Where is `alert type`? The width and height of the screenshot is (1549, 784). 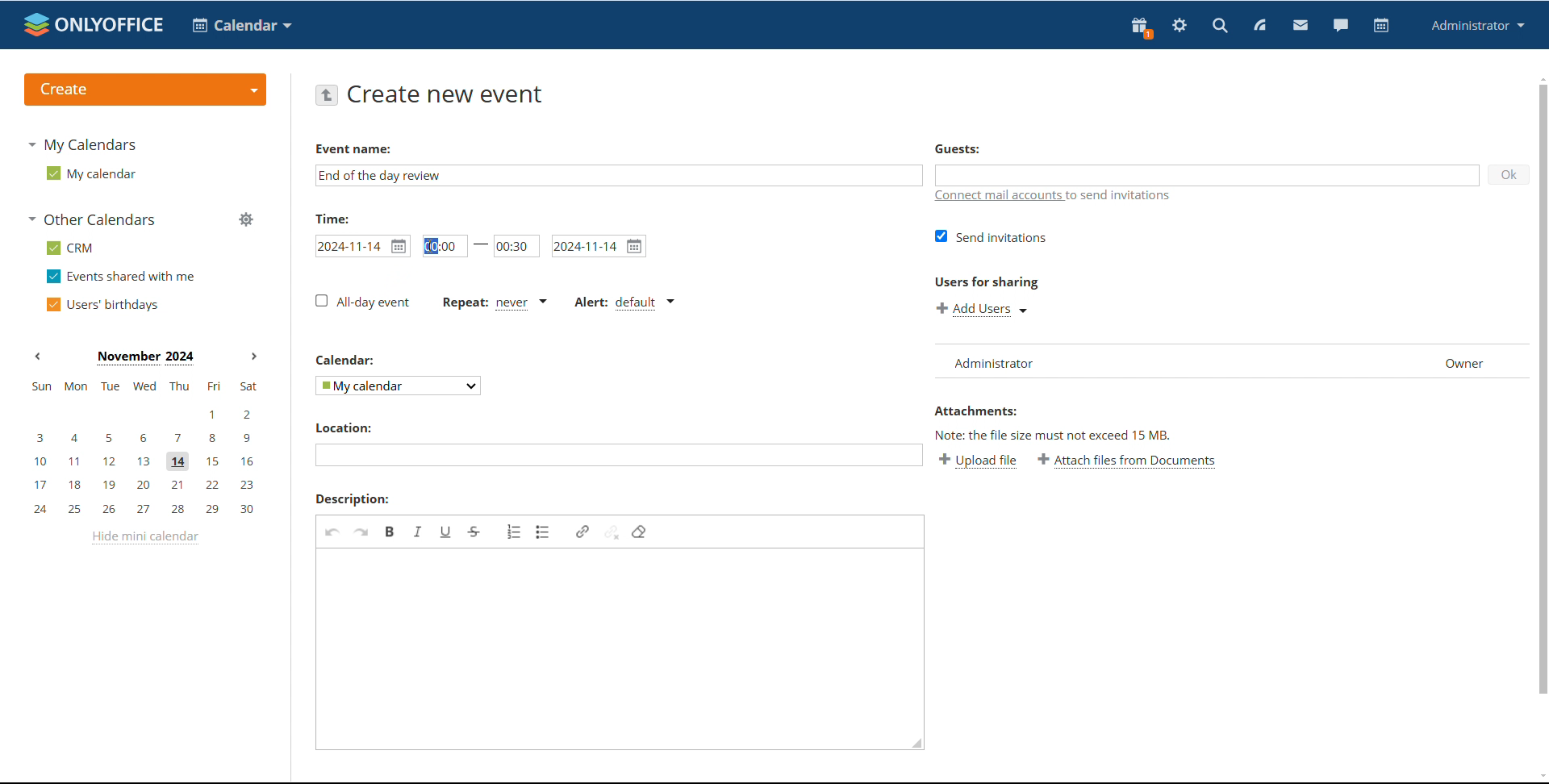
alert type is located at coordinates (624, 303).